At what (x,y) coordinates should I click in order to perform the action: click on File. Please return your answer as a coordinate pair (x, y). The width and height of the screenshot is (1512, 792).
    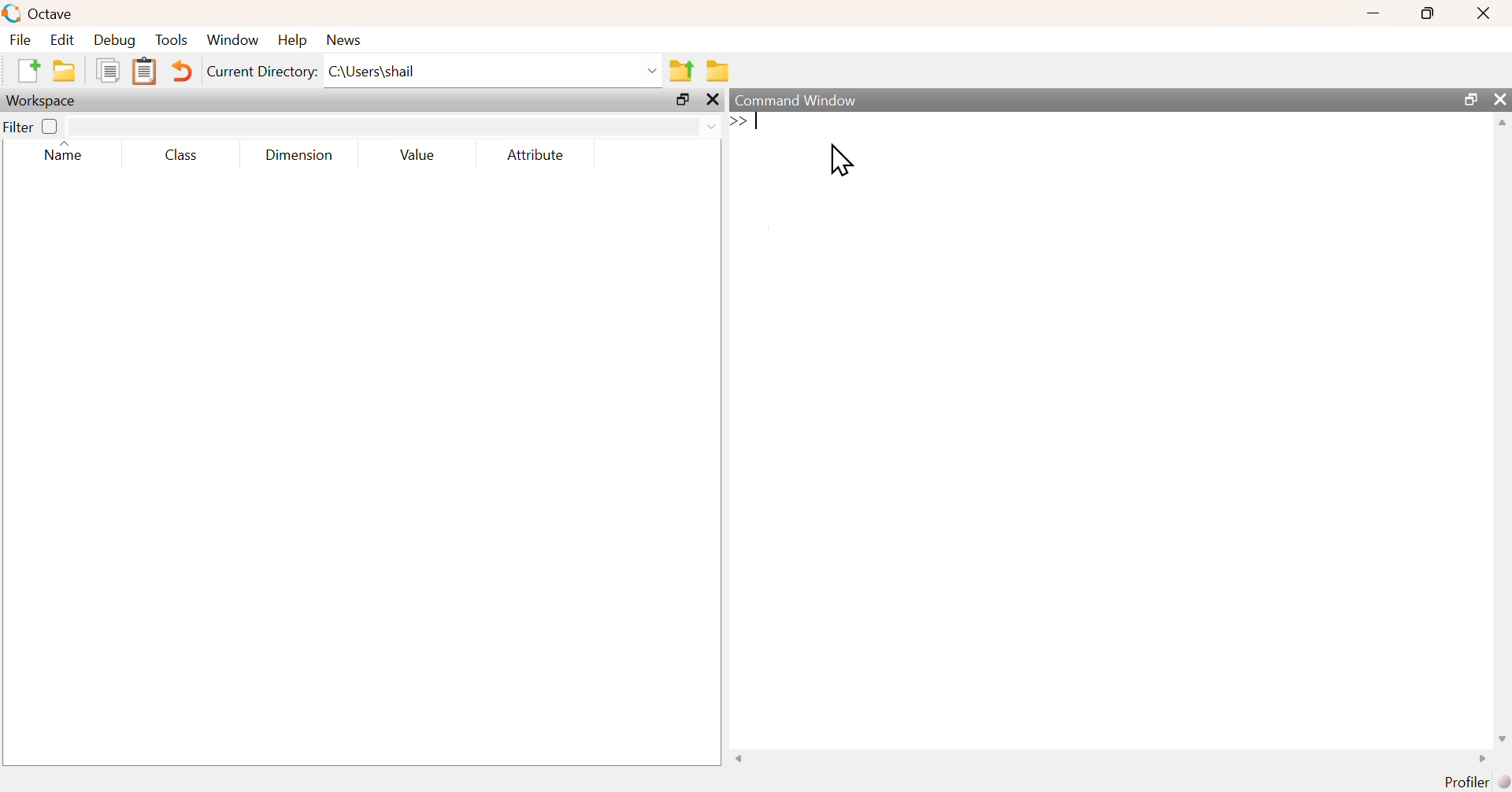
    Looking at the image, I should click on (19, 39).